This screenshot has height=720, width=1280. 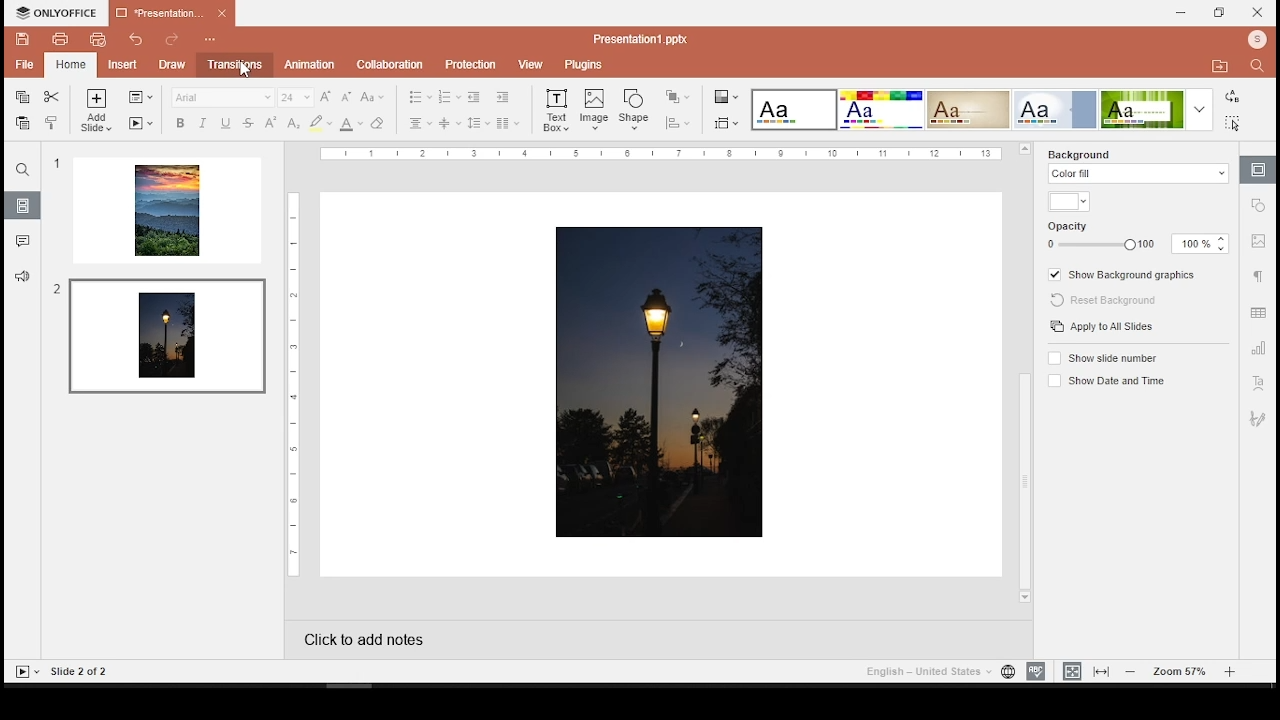 I want to click on font, so click(x=222, y=98).